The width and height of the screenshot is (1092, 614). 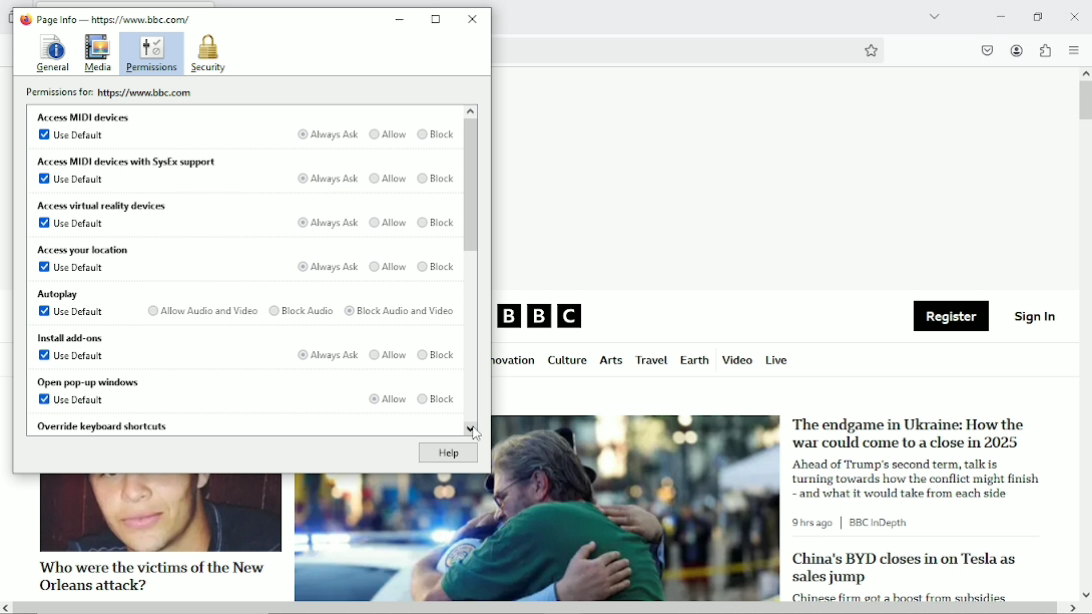 What do you see at coordinates (387, 267) in the screenshot?
I see `Allow` at bounding box center [387, 267].